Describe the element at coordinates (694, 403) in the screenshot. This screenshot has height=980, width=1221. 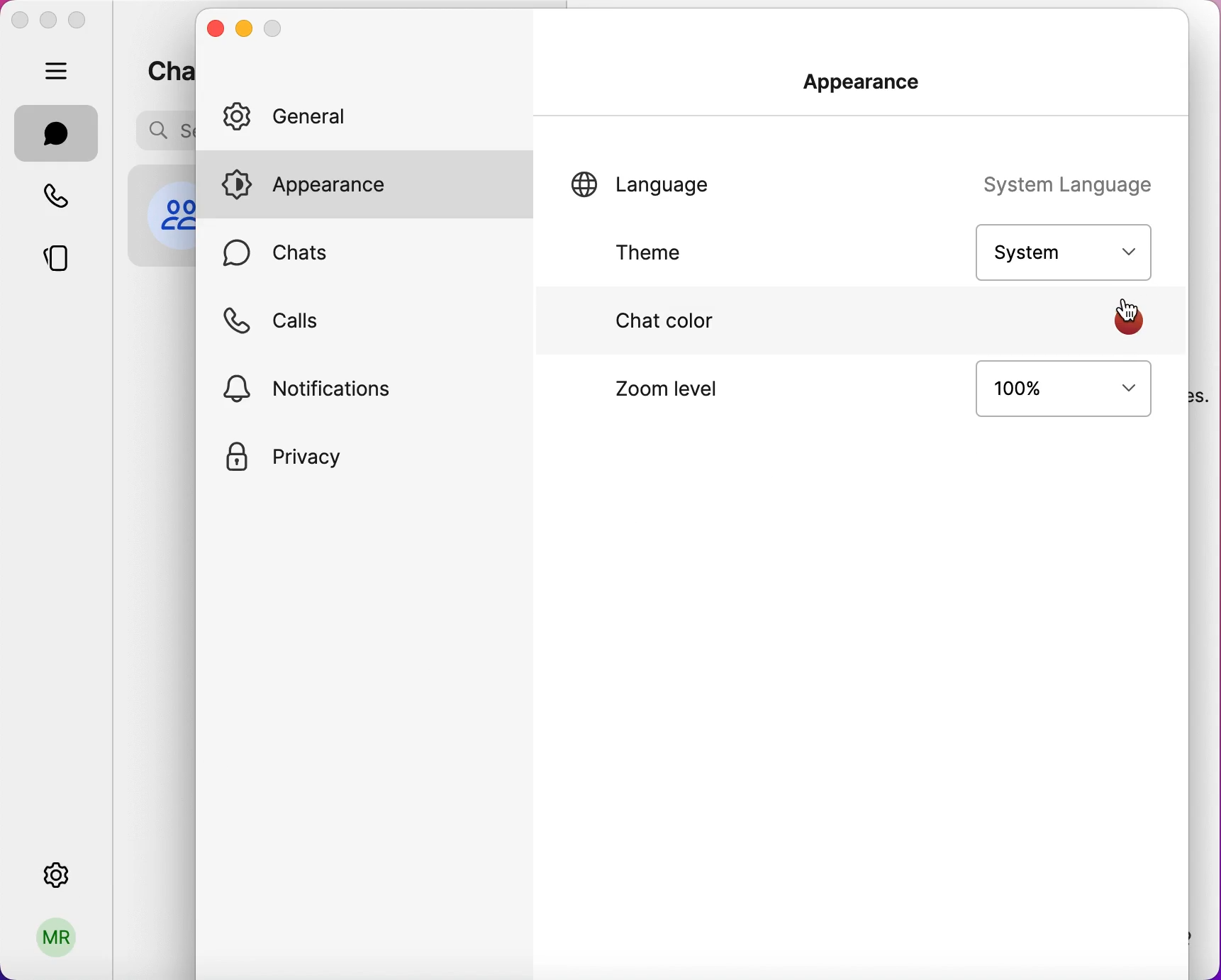
I see `zoom level` at that location.